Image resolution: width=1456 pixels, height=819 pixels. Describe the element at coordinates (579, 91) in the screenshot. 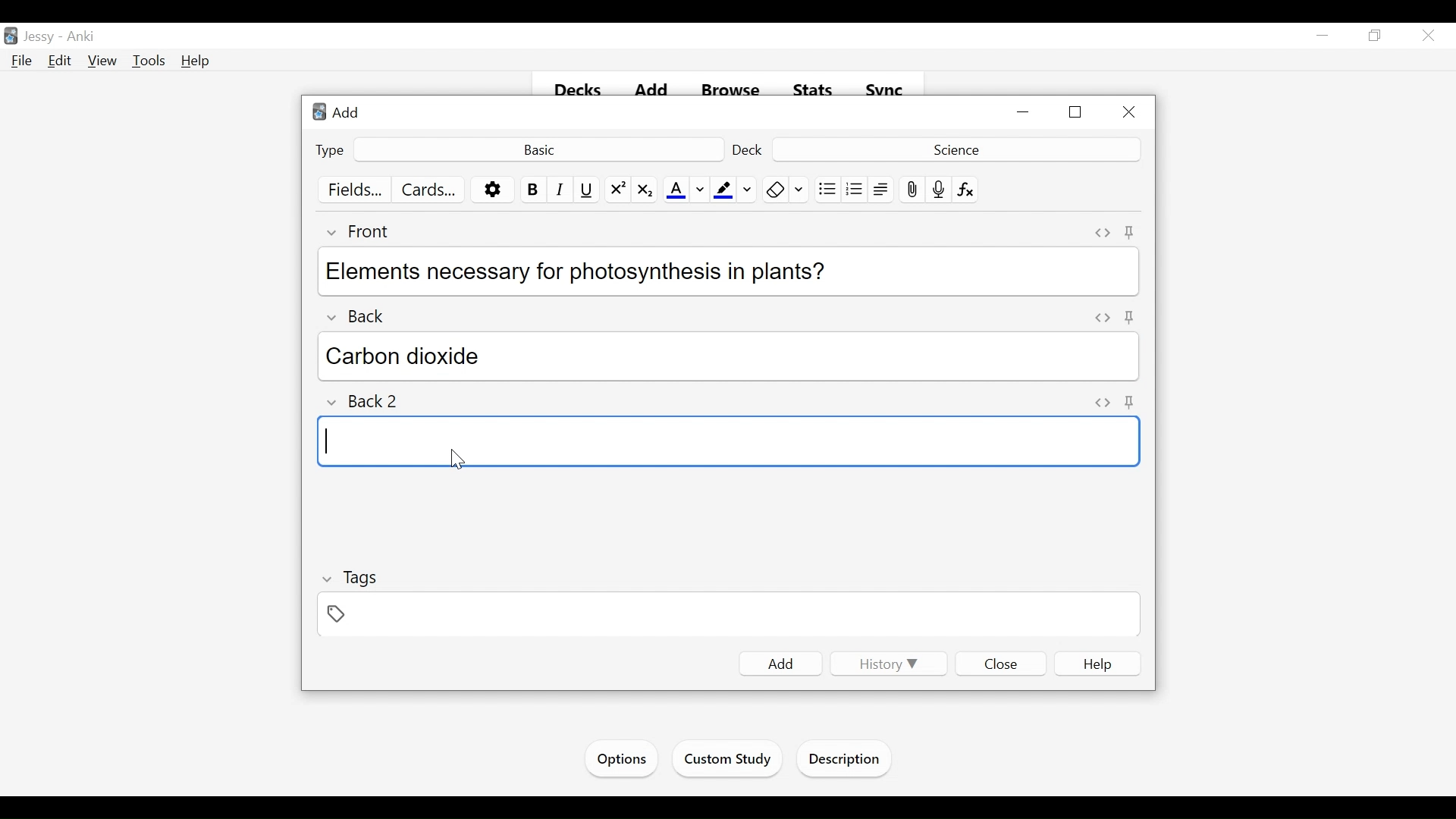

I see `Decks` at that location.